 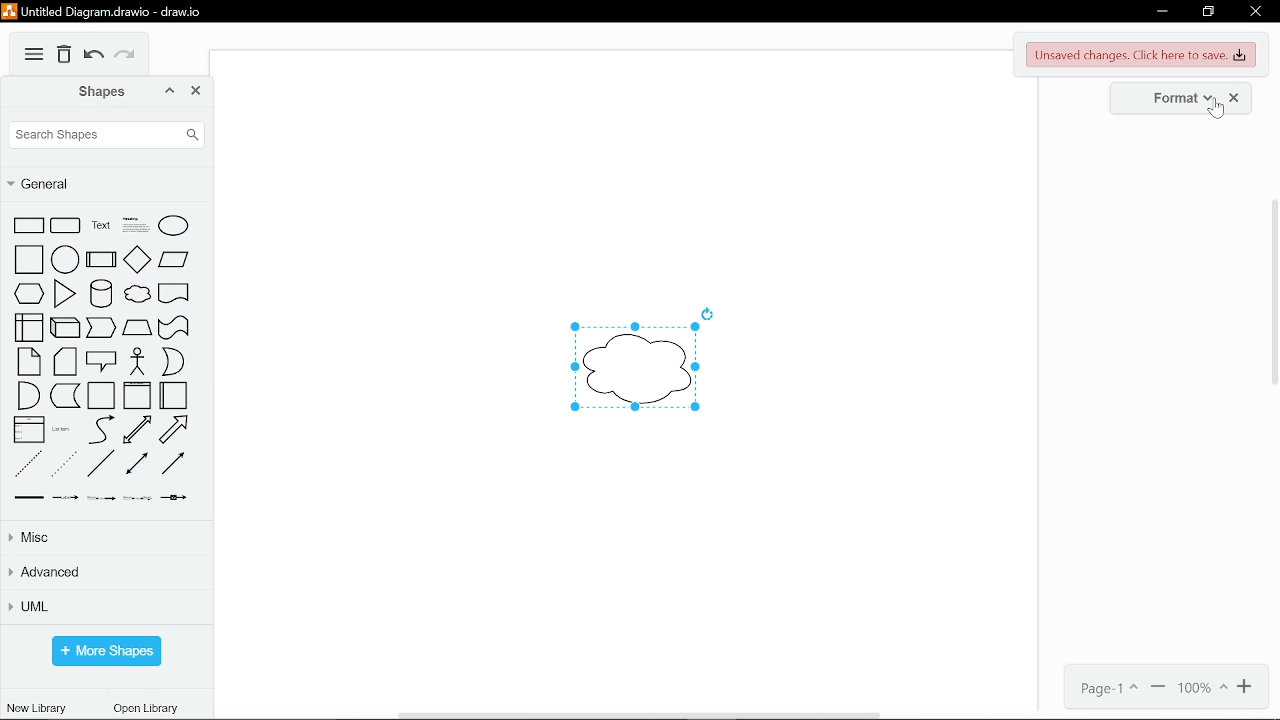 What do you see at coordinates (101, 260) in the screenshot?
I see `process` at bounding box center [101, 260].